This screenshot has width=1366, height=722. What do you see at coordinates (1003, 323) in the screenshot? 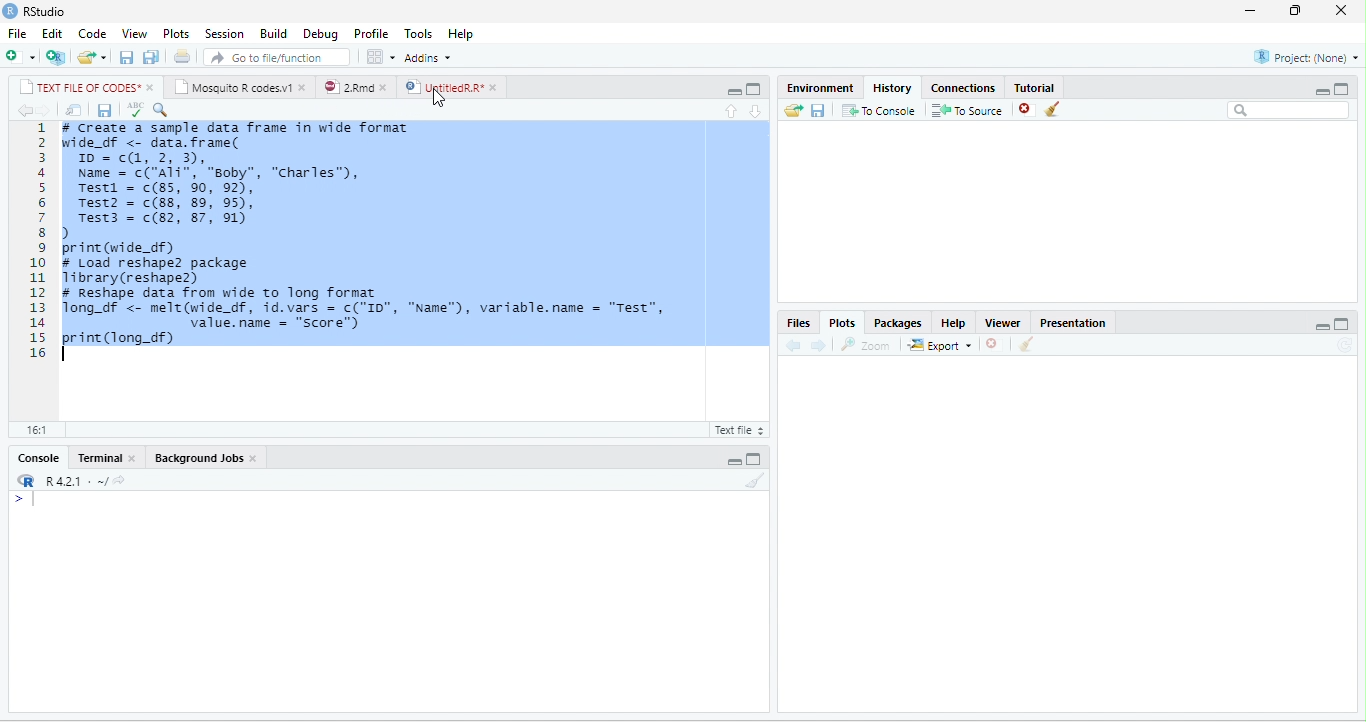
I see `Viewer` at bounding box center [1003, 323].